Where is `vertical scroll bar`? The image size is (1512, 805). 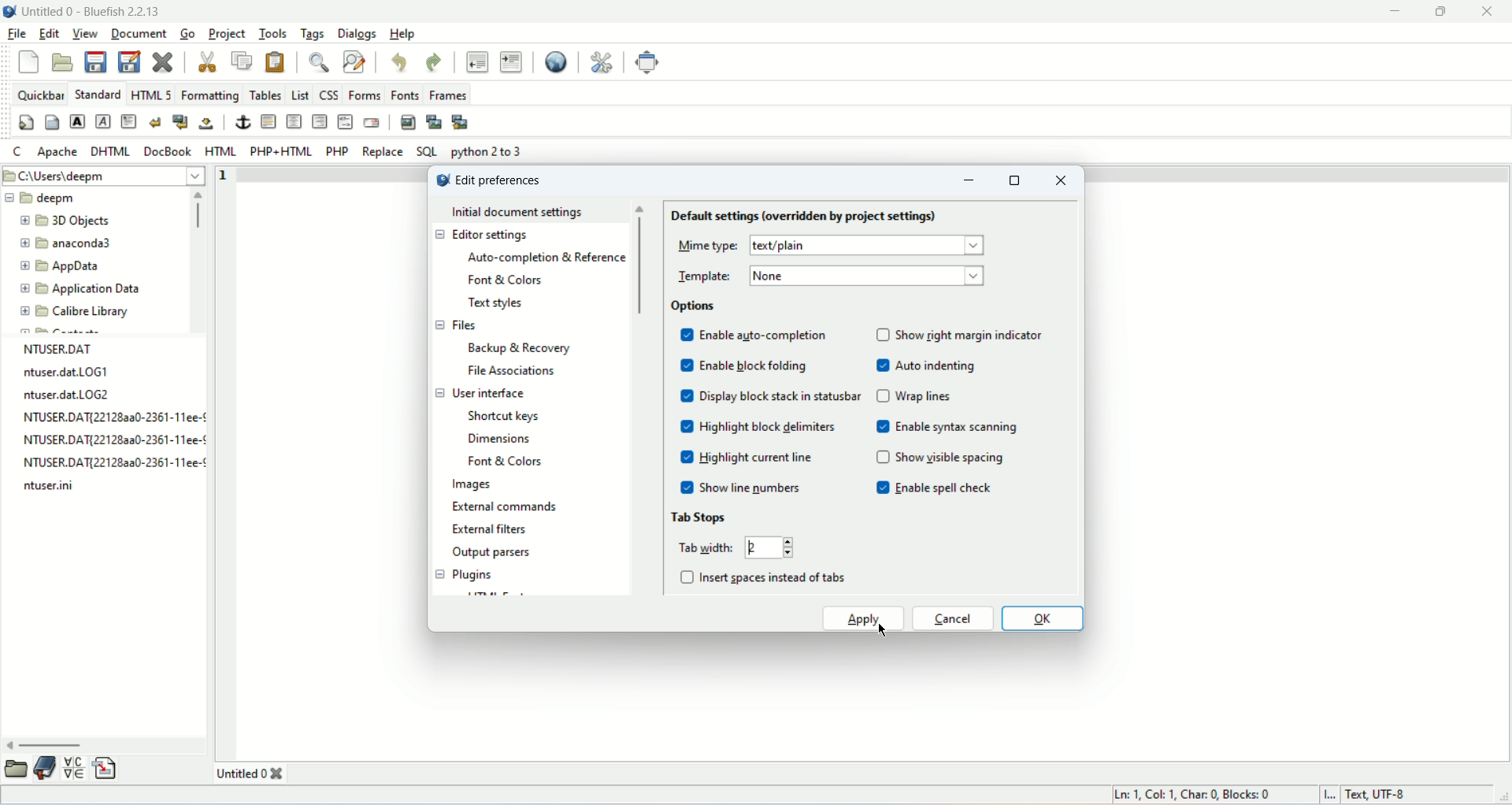
vertical scroll bar is located at coordinates (198, 210).